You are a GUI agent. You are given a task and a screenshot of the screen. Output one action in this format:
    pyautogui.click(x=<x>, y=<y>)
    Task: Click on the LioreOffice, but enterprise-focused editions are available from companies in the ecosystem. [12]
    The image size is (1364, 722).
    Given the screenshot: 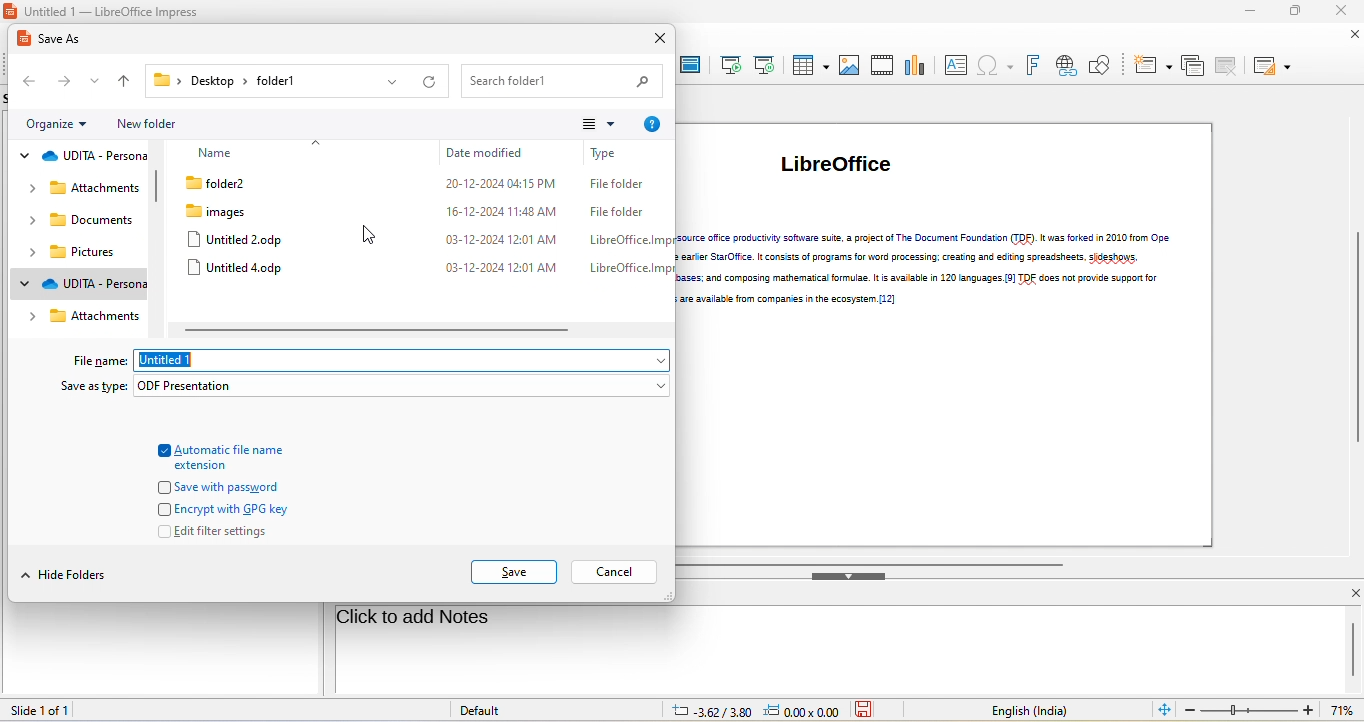 What is the action you would take?
    pyautogui.click(x=800, y=300)
    